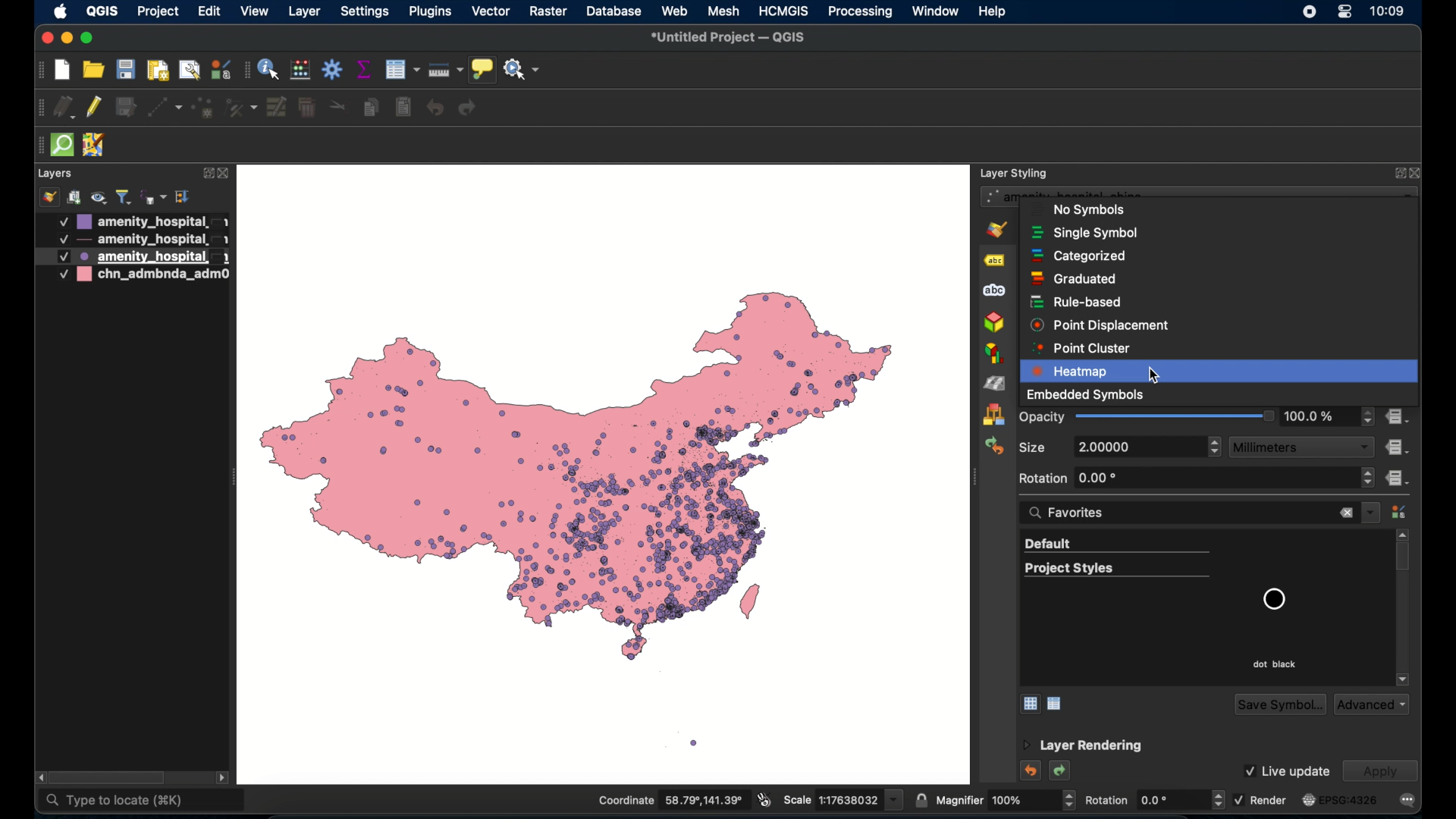 This screenshot has width=1456, height=819. Describe the element at coordinates (1148, 447) in the screenshot. I see `size stepper buttons` at that location.